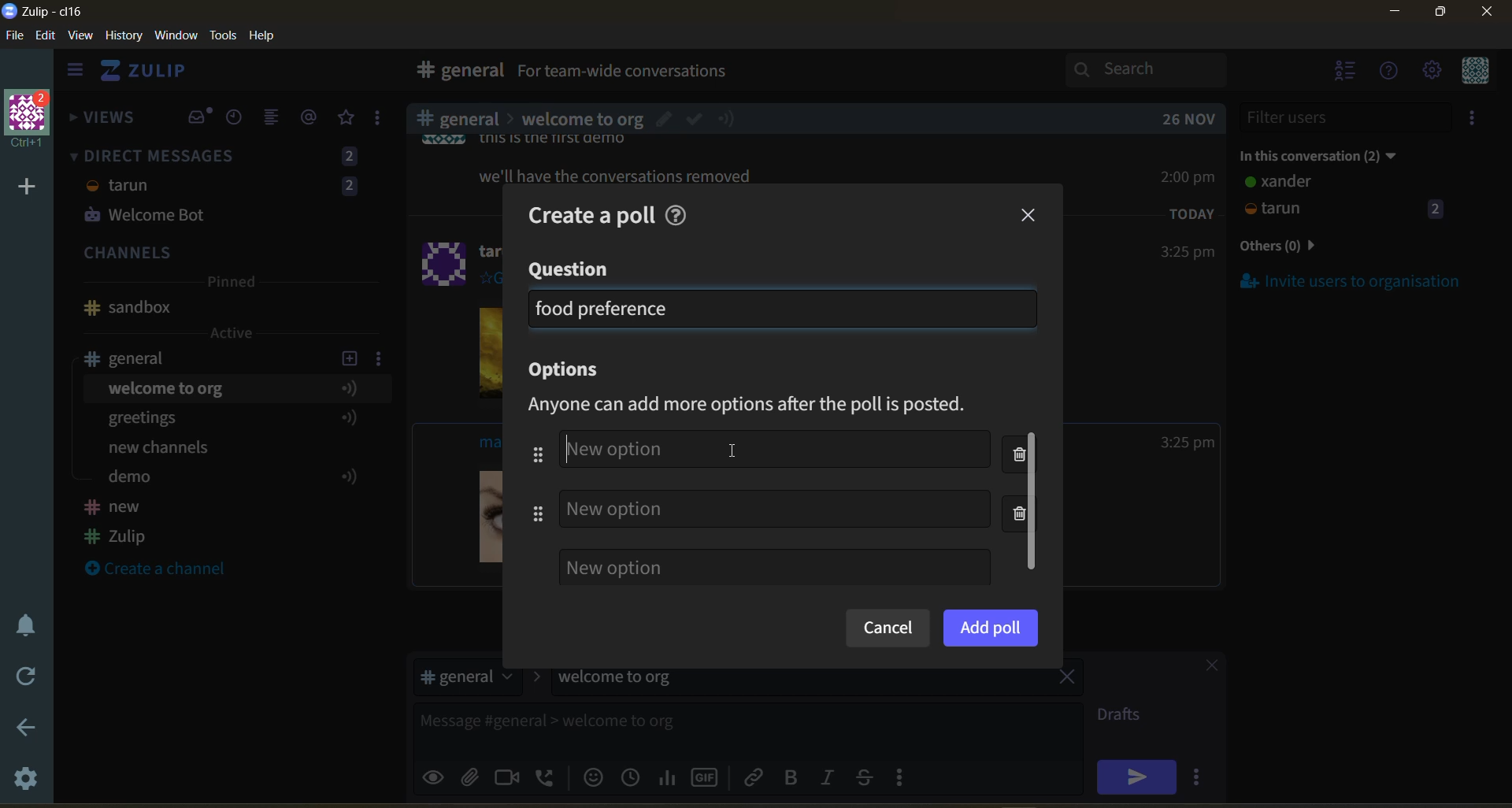 The width and height of the screenshot is (1512, 808). I want to click on today, so click(1192, 213).